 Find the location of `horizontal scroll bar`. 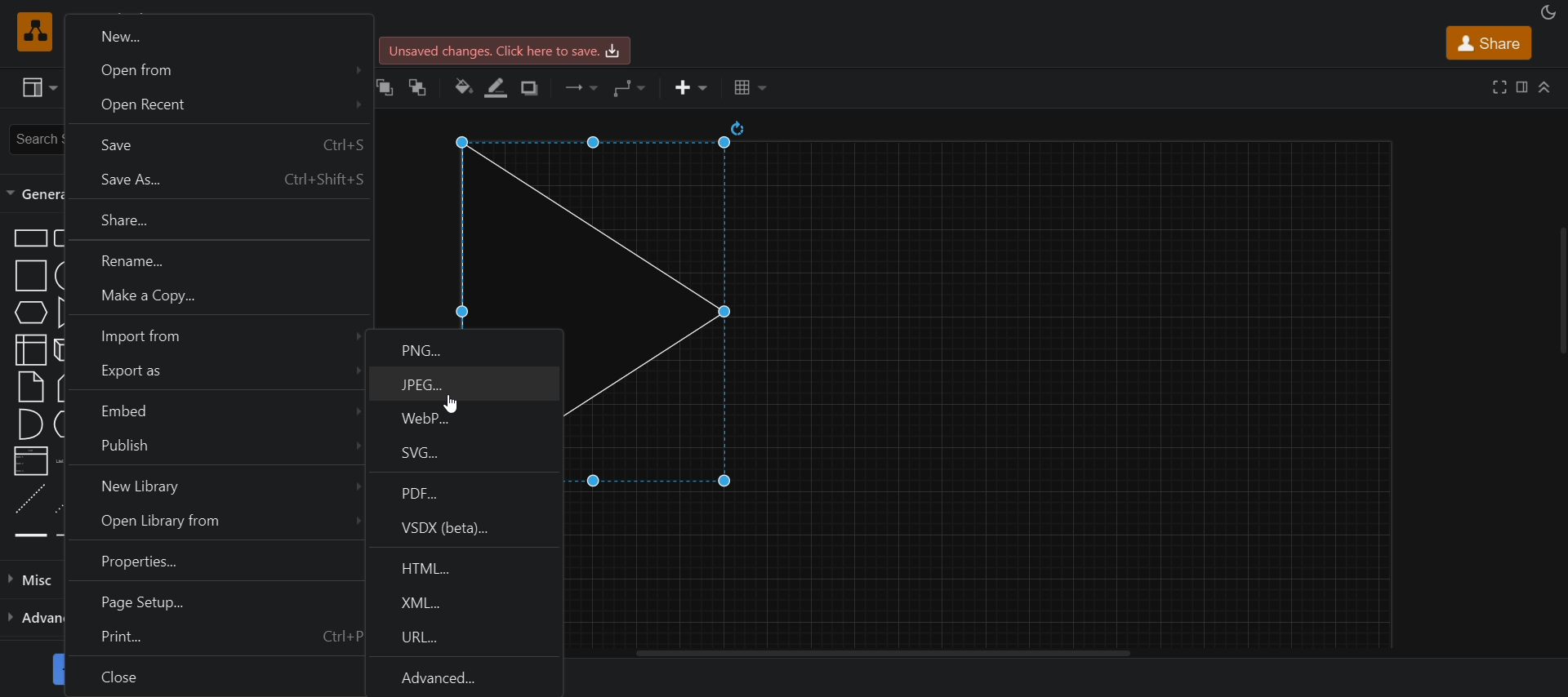

horizontal scroll bar is located at coordinates (889, 654).